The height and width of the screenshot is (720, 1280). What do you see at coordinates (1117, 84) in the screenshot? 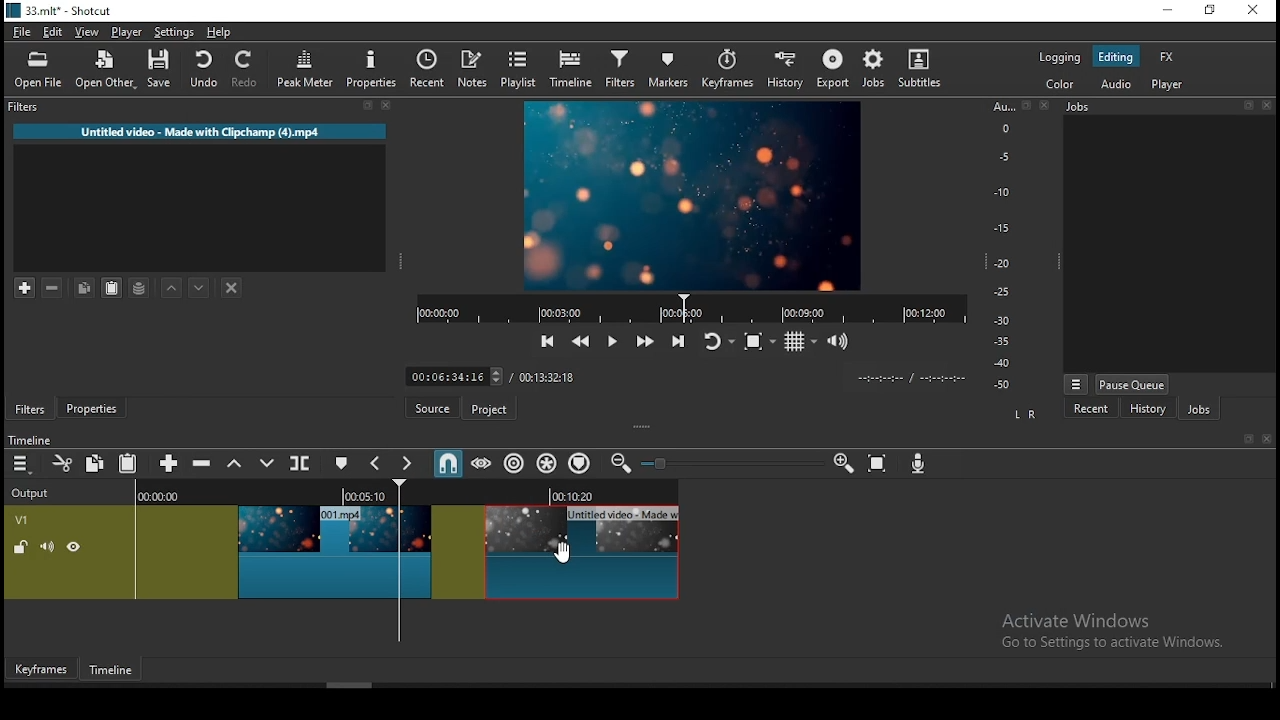
I see `audio` at bounding box center [1117, 84].